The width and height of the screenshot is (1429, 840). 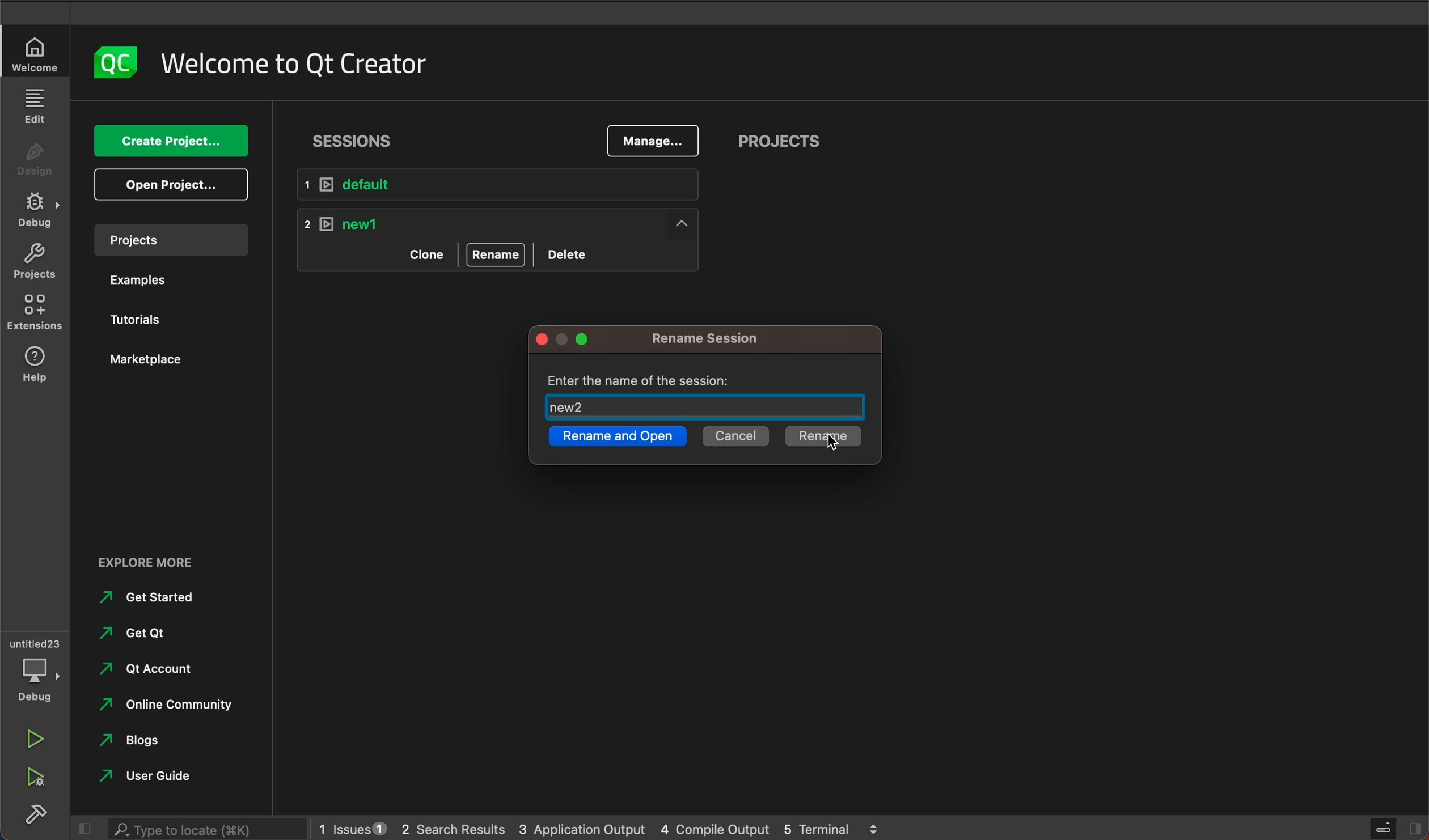 What do you see at coordinates (838, 444) in the screenshot?
I see `cursor` at bounding box center [838, 444].